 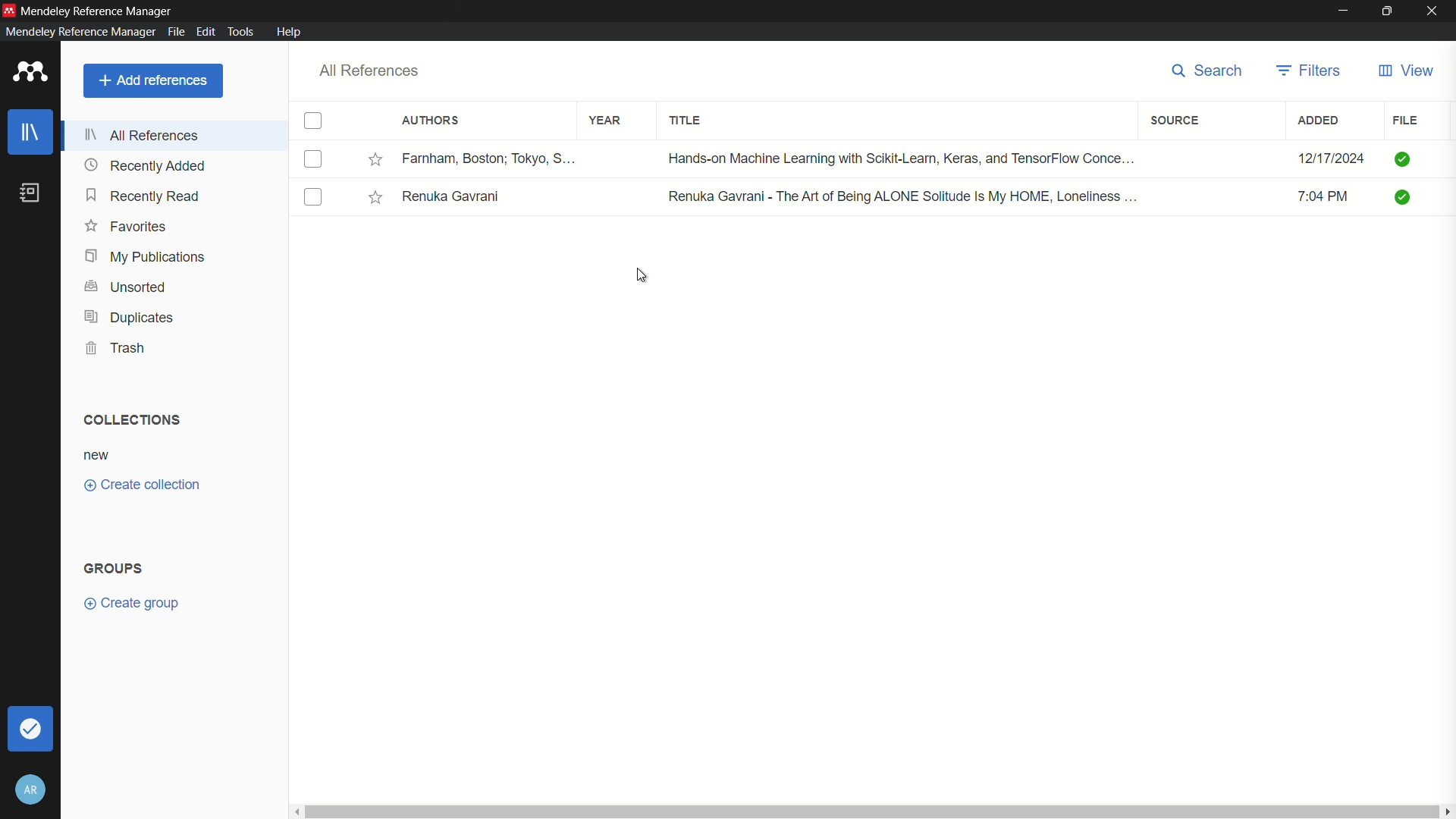 I want to click on app icon, so click(x=9, y=10).